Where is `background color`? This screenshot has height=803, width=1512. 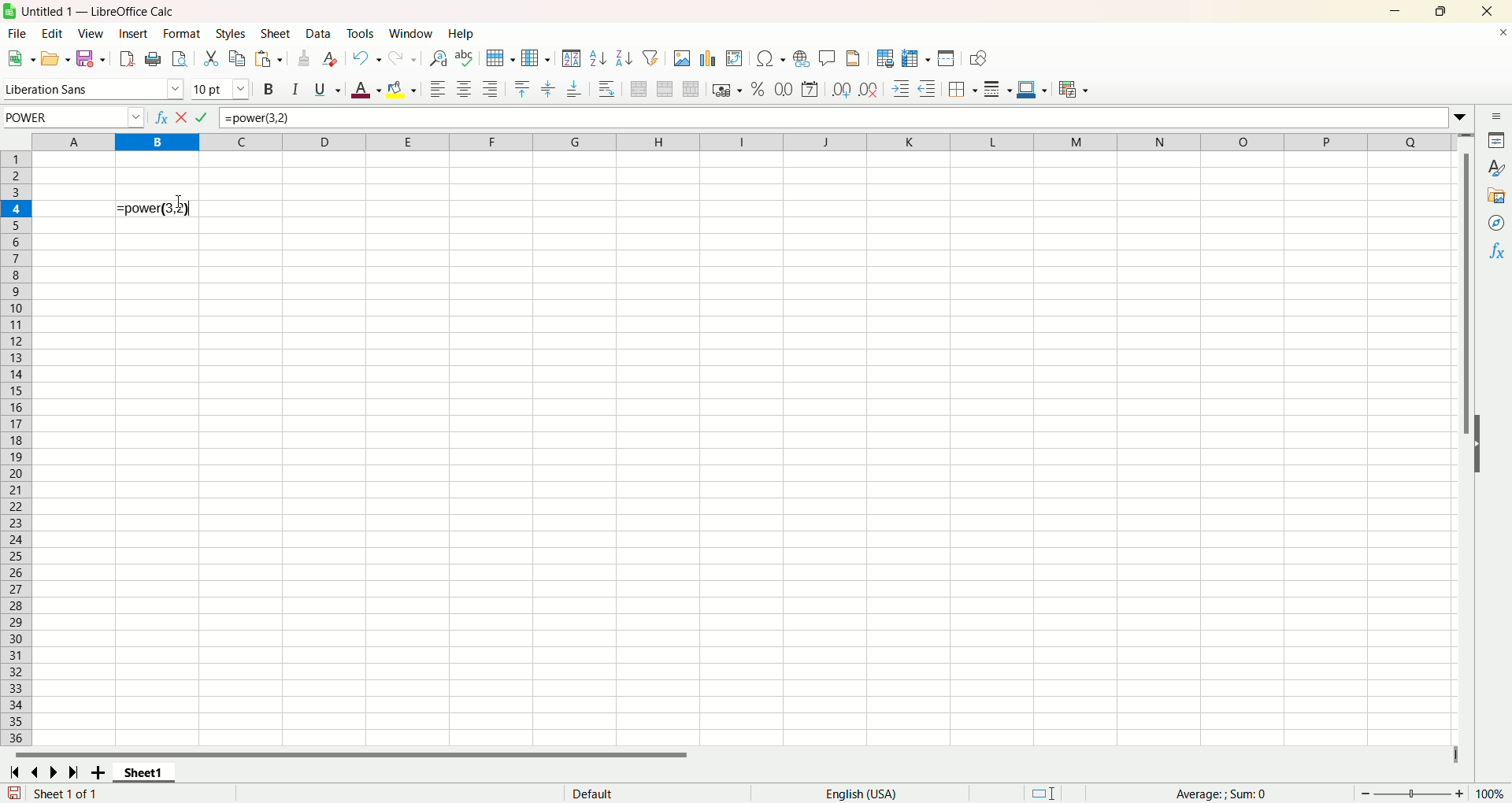 background color is located at coordinates (403, 89).